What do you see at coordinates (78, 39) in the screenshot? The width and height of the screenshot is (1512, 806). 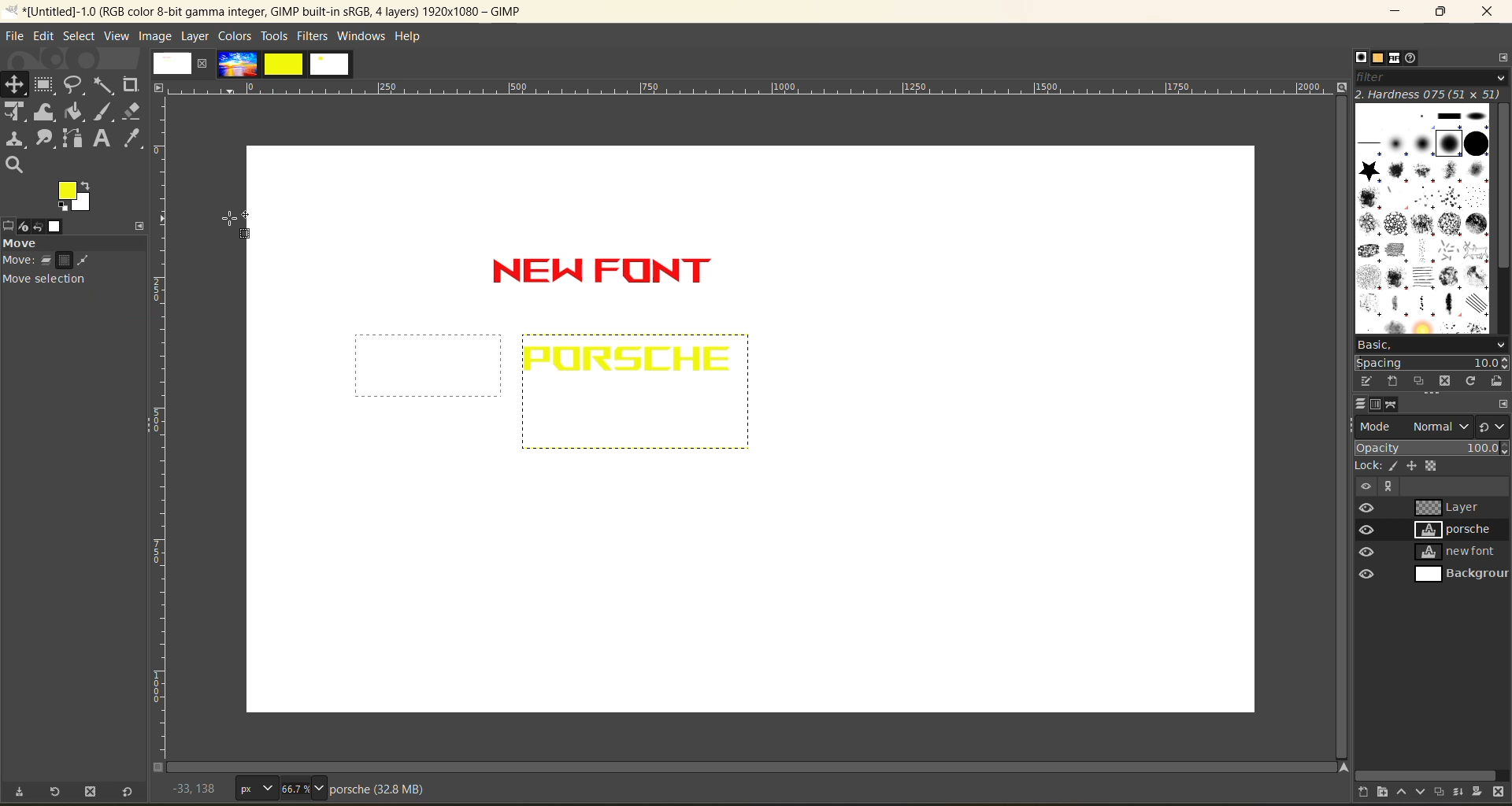 I see `select` at bounding box center [78, 39].